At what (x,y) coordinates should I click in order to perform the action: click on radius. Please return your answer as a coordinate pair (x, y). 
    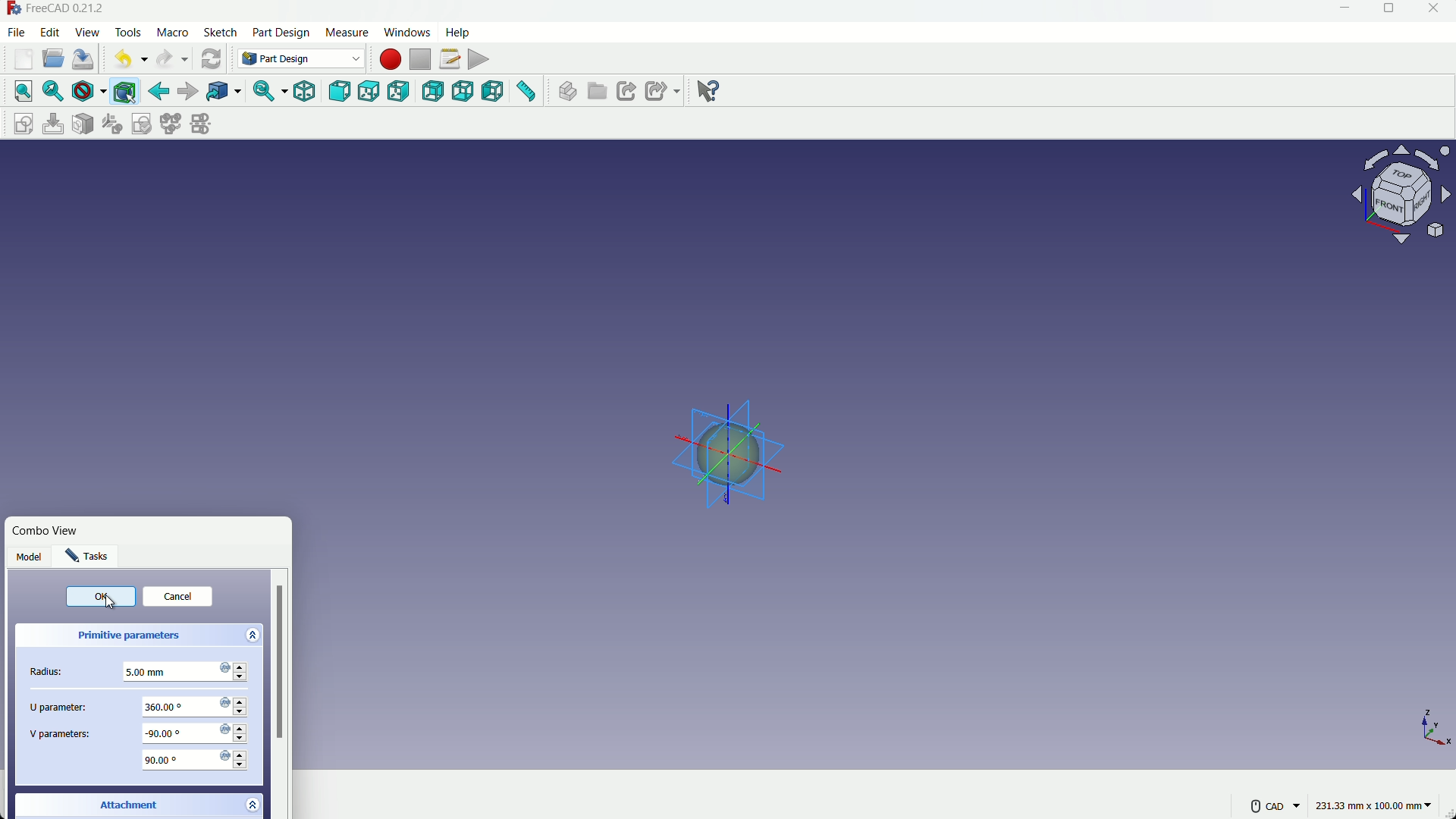
    Looking at the image, I should click on (180, 670).